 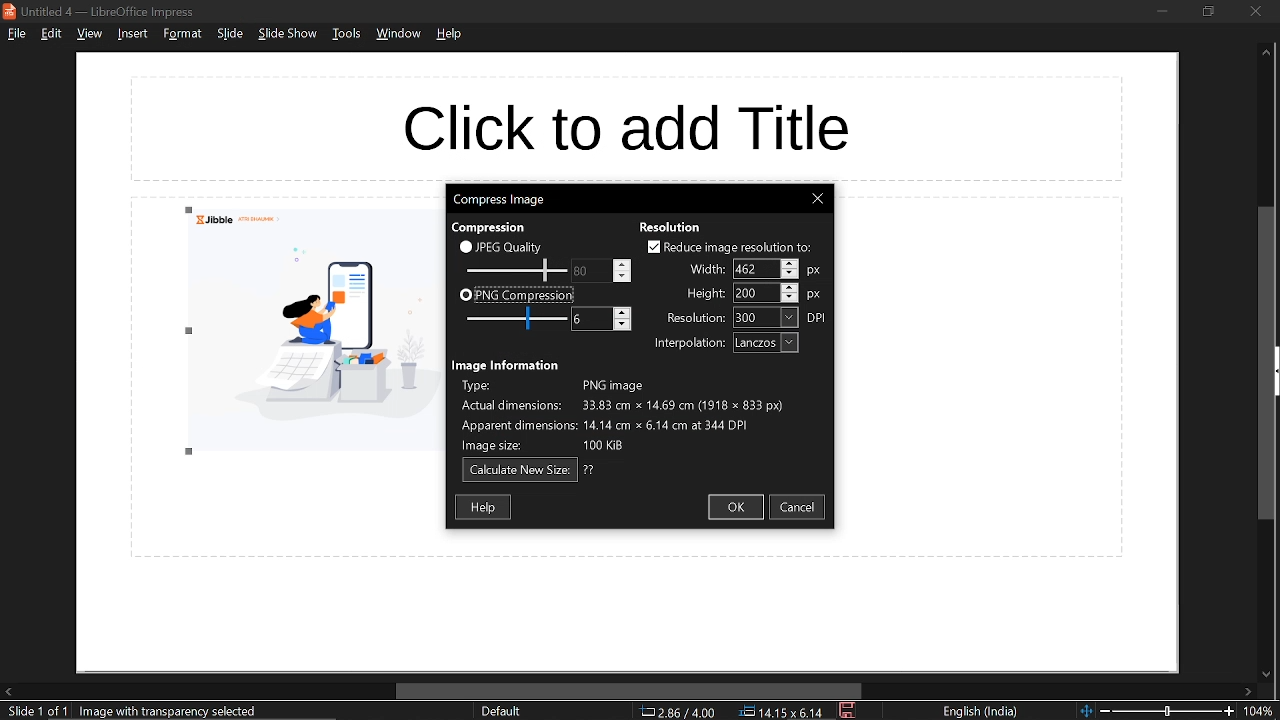 I want to click on width, so click(x=704, y=268).